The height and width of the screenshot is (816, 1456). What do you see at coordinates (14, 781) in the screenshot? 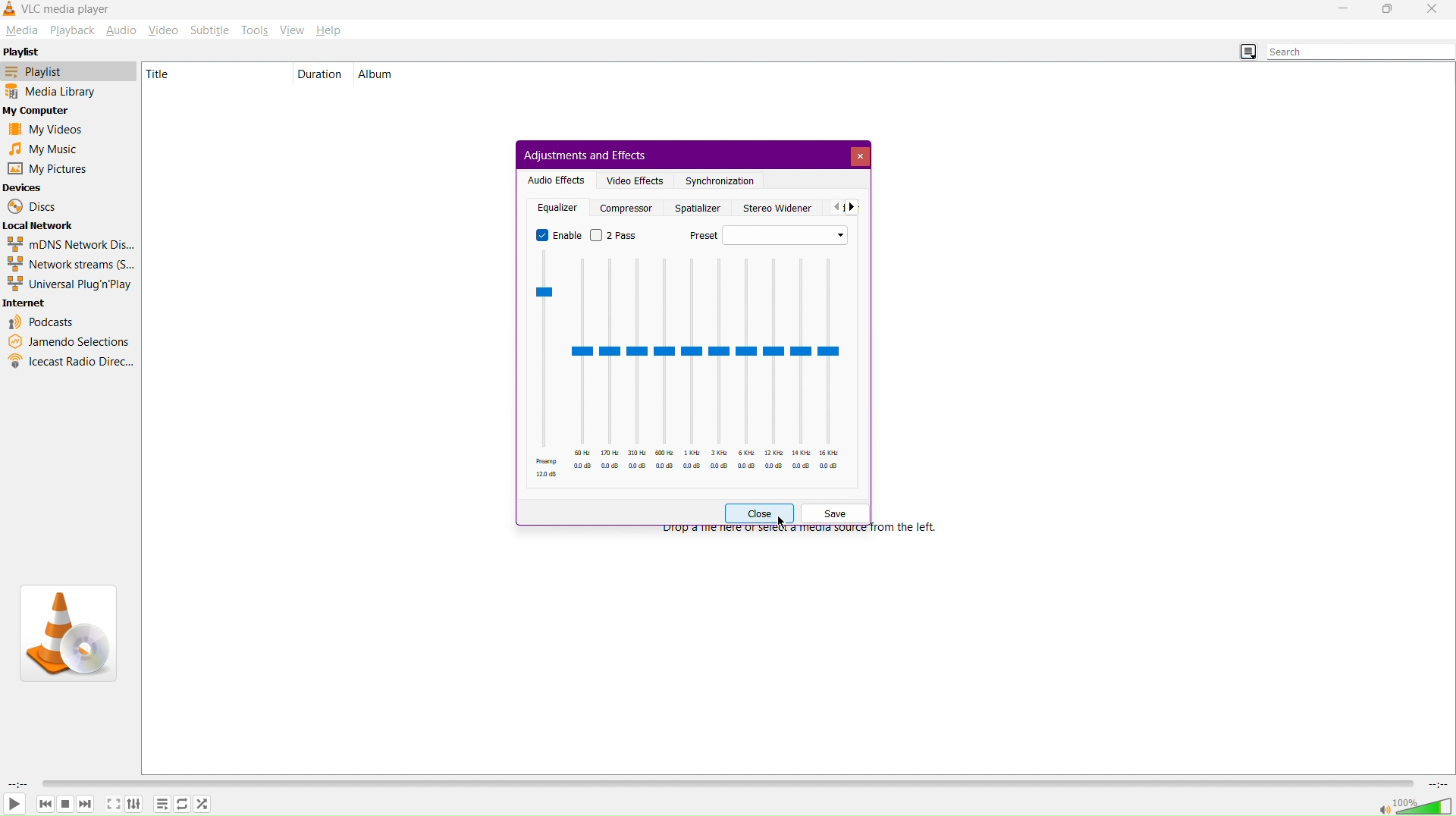
I see `Duration` at bounding box center [14, 781].